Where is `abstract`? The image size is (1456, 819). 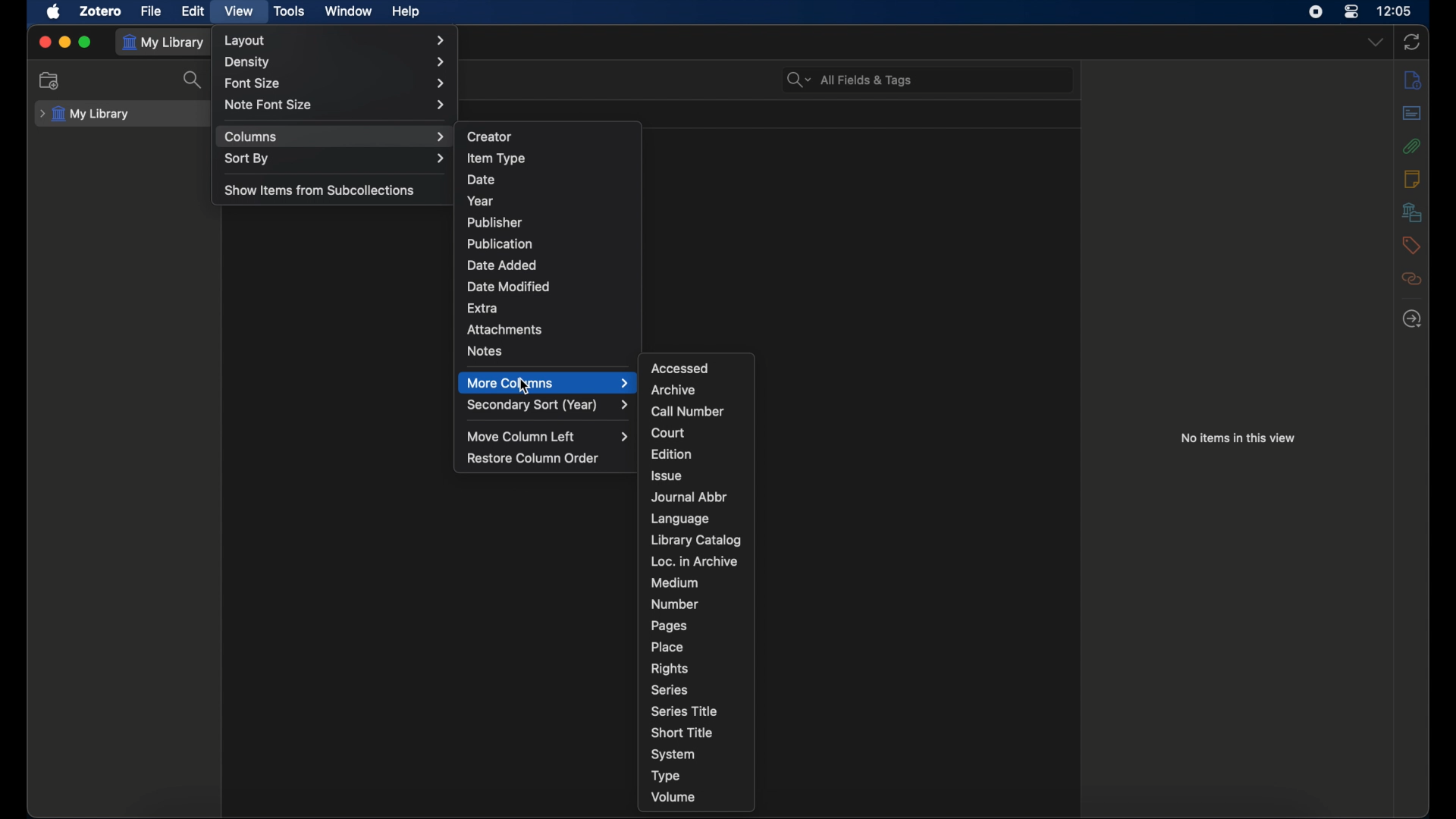 abstract is located at coordinates (1411, 112).